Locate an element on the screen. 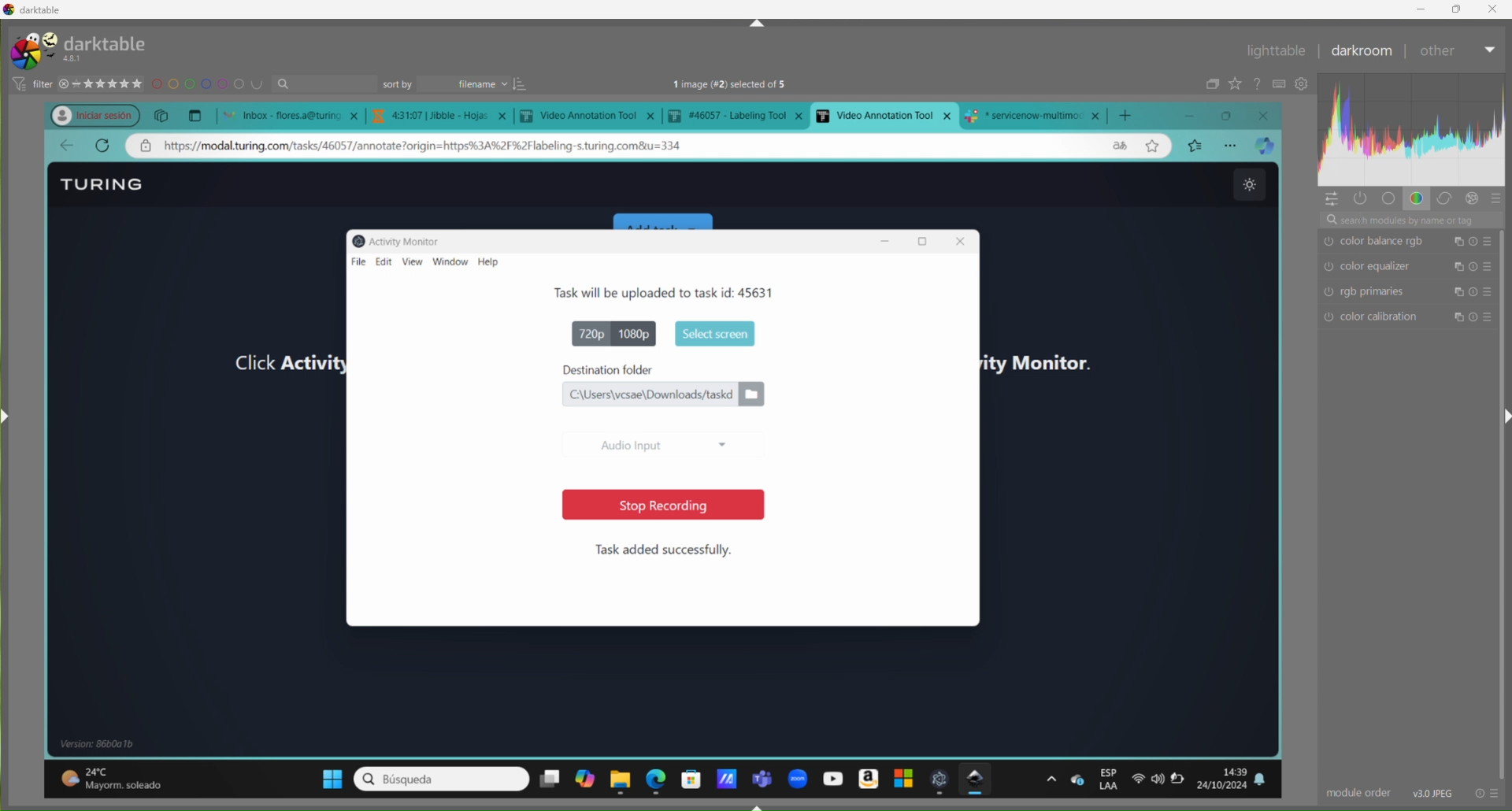  module order is located at coordinates (1354, 792).